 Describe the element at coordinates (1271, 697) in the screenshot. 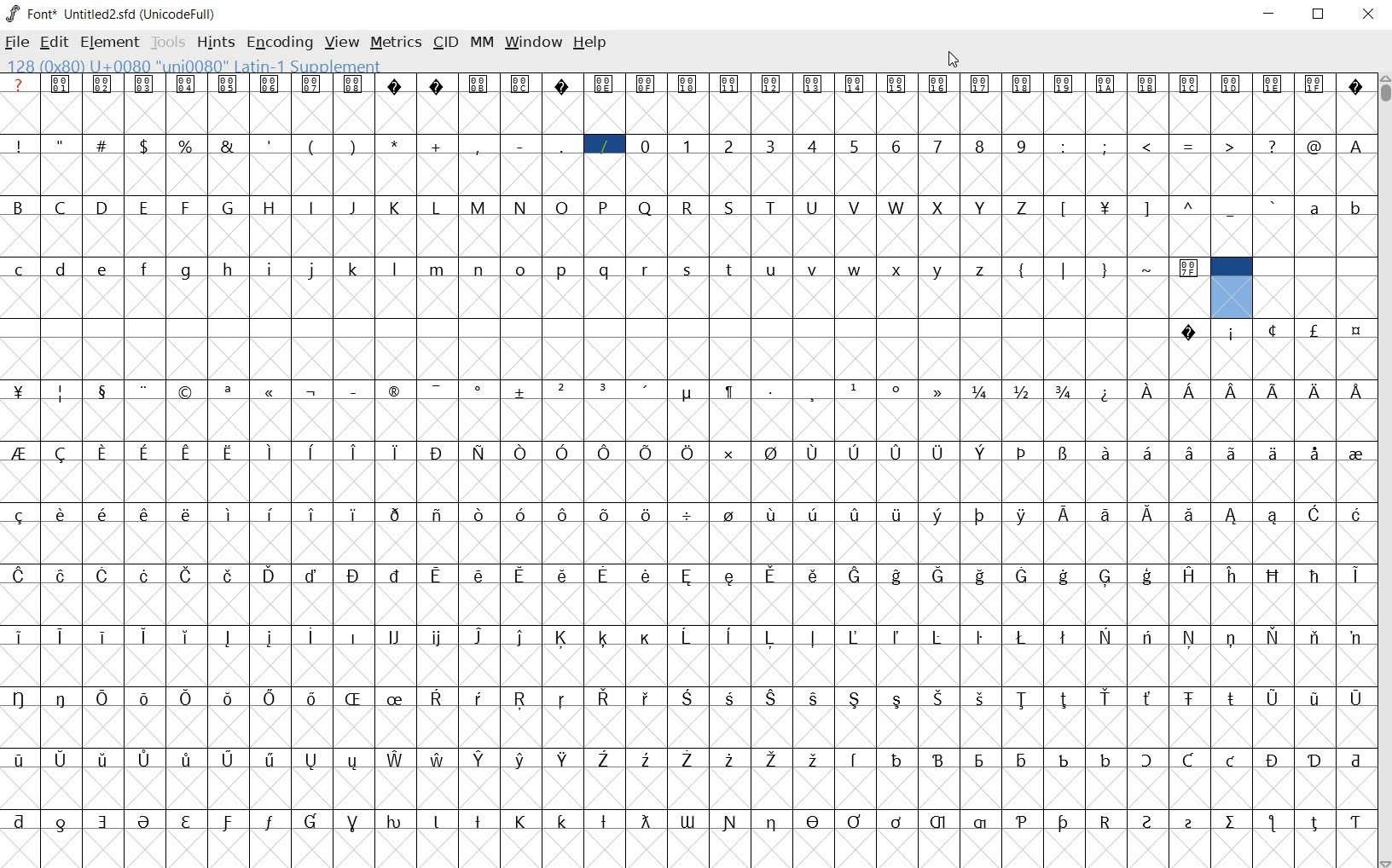

I see `` at that location.